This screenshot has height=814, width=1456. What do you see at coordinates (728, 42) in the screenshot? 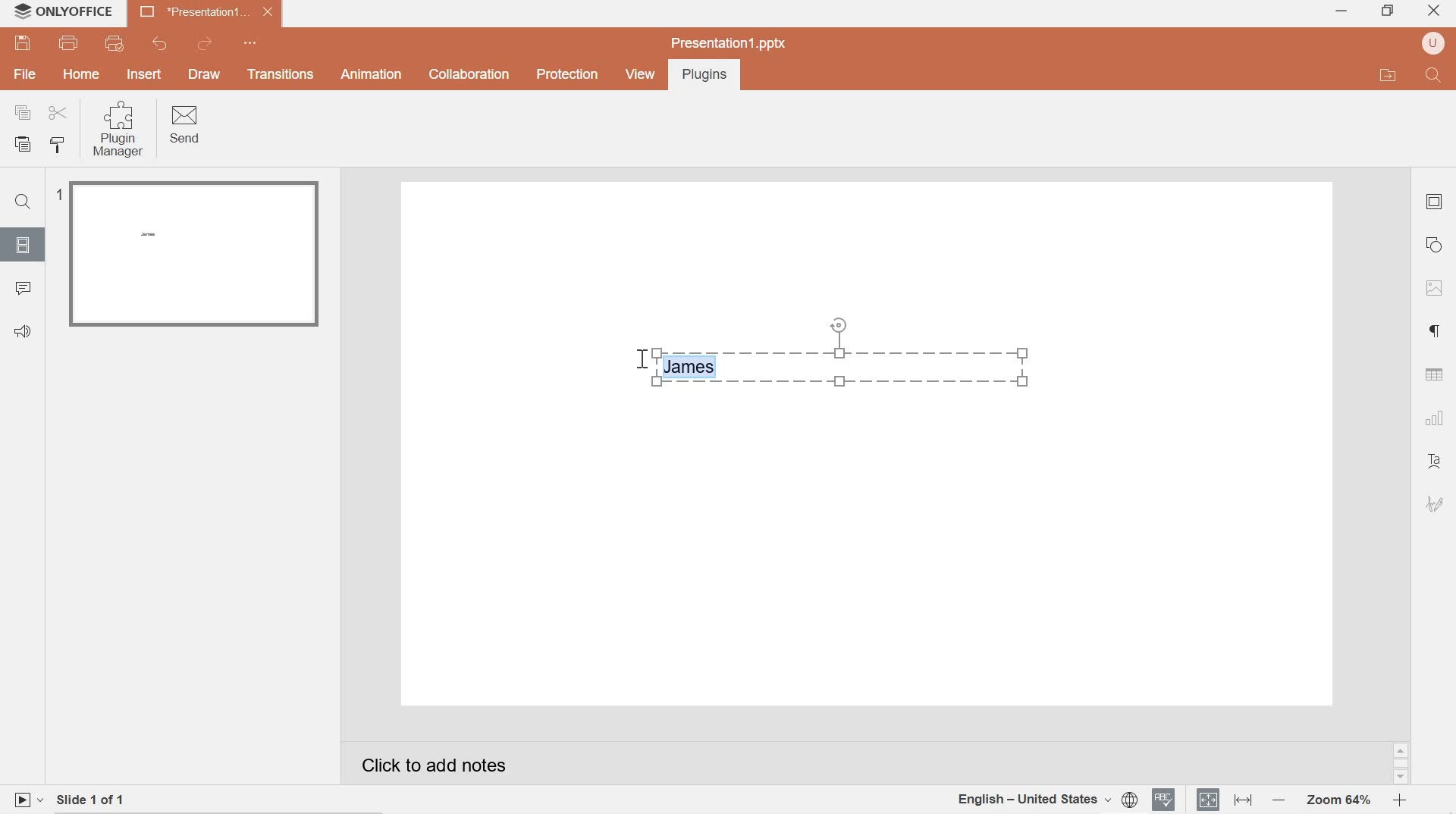
I see `presentation1.pptx` at bounding box center [728, 42].